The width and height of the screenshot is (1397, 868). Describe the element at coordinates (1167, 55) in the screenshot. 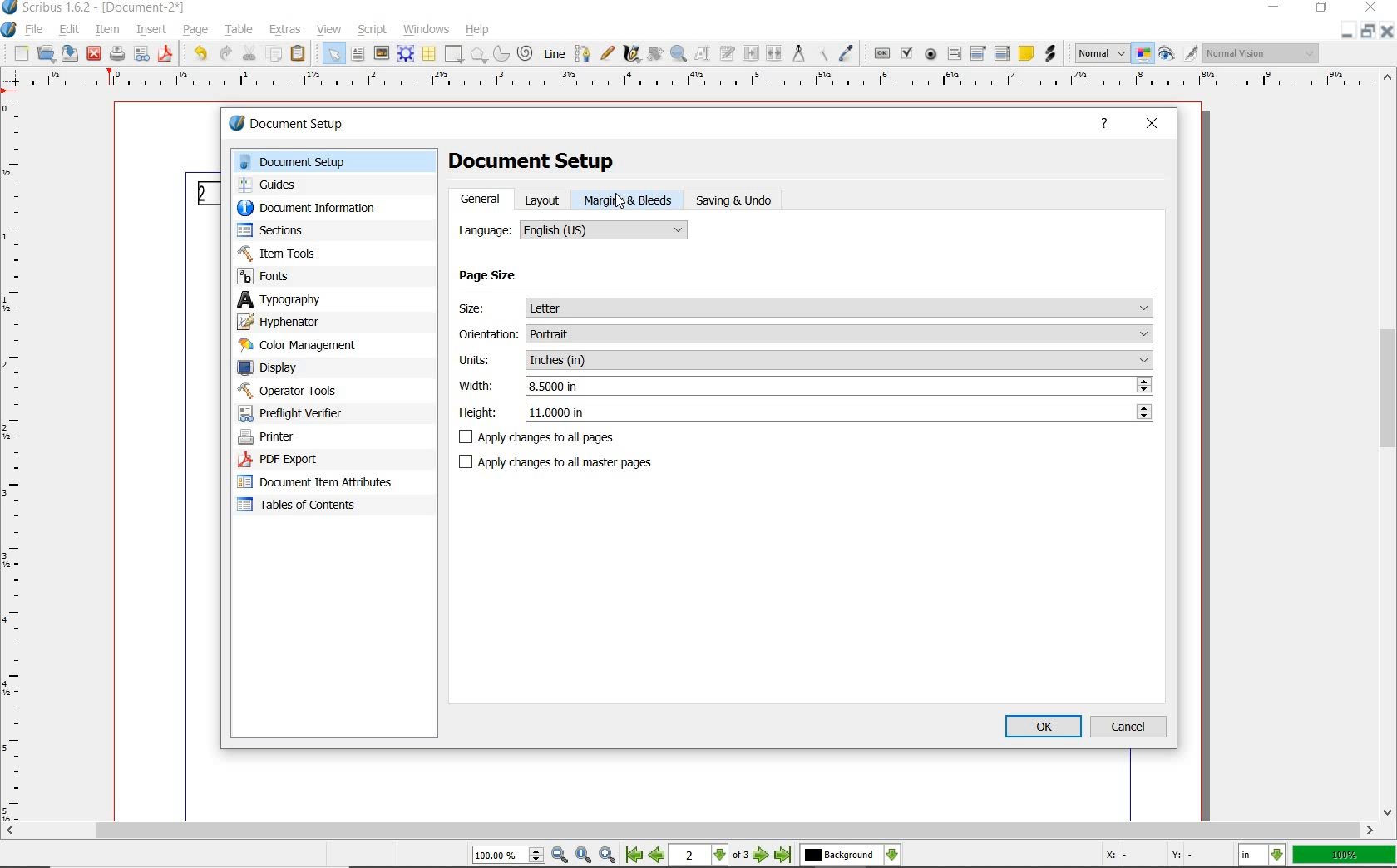

I see `preview mode` at that location.